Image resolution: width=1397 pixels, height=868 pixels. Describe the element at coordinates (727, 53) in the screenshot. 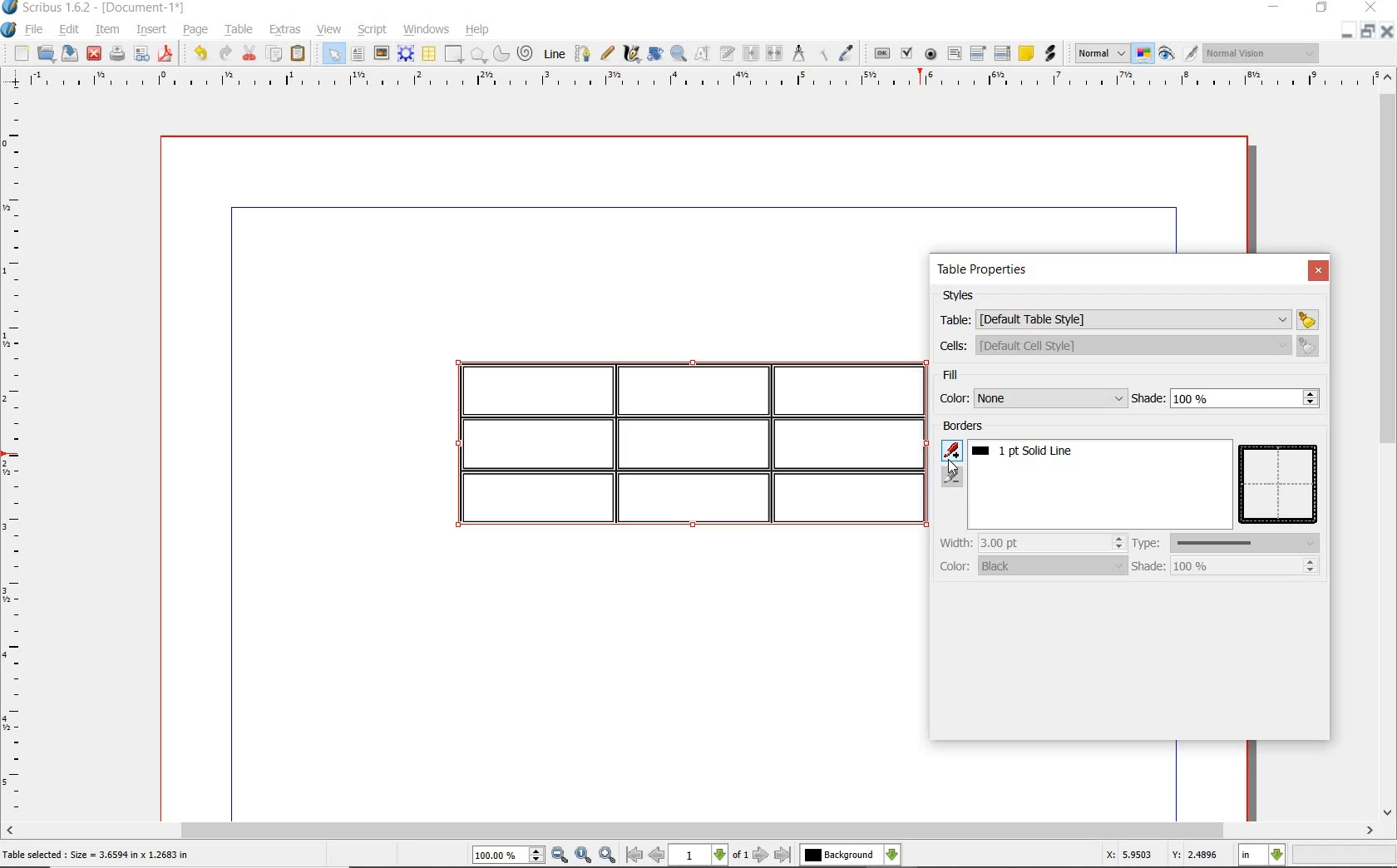

I see `edit text with story editor` at that location.